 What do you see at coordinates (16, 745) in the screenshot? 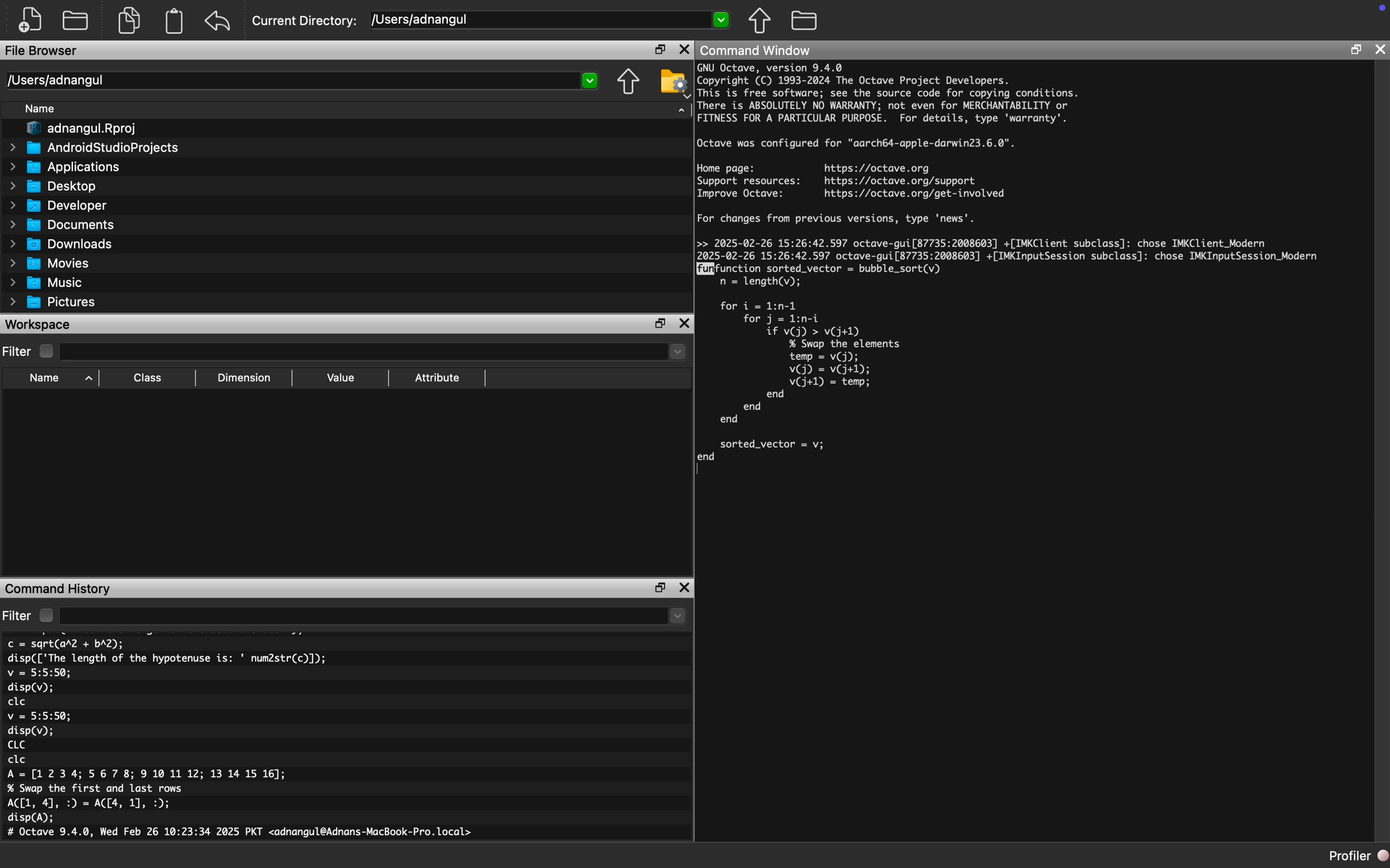
I see `CLC` at bounding box center [16, 745].